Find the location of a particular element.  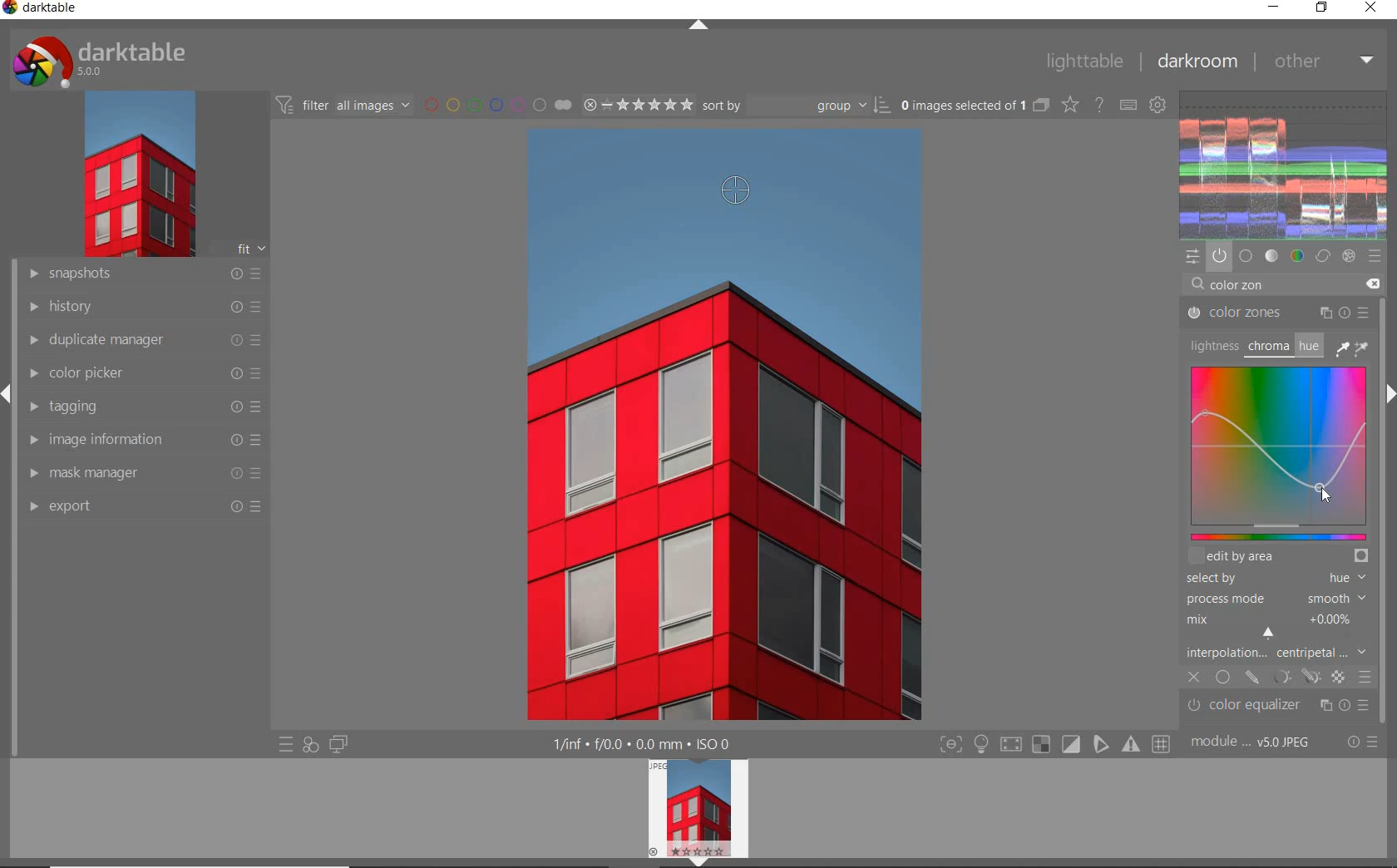

snapshots is located at coordinates (141, 276).